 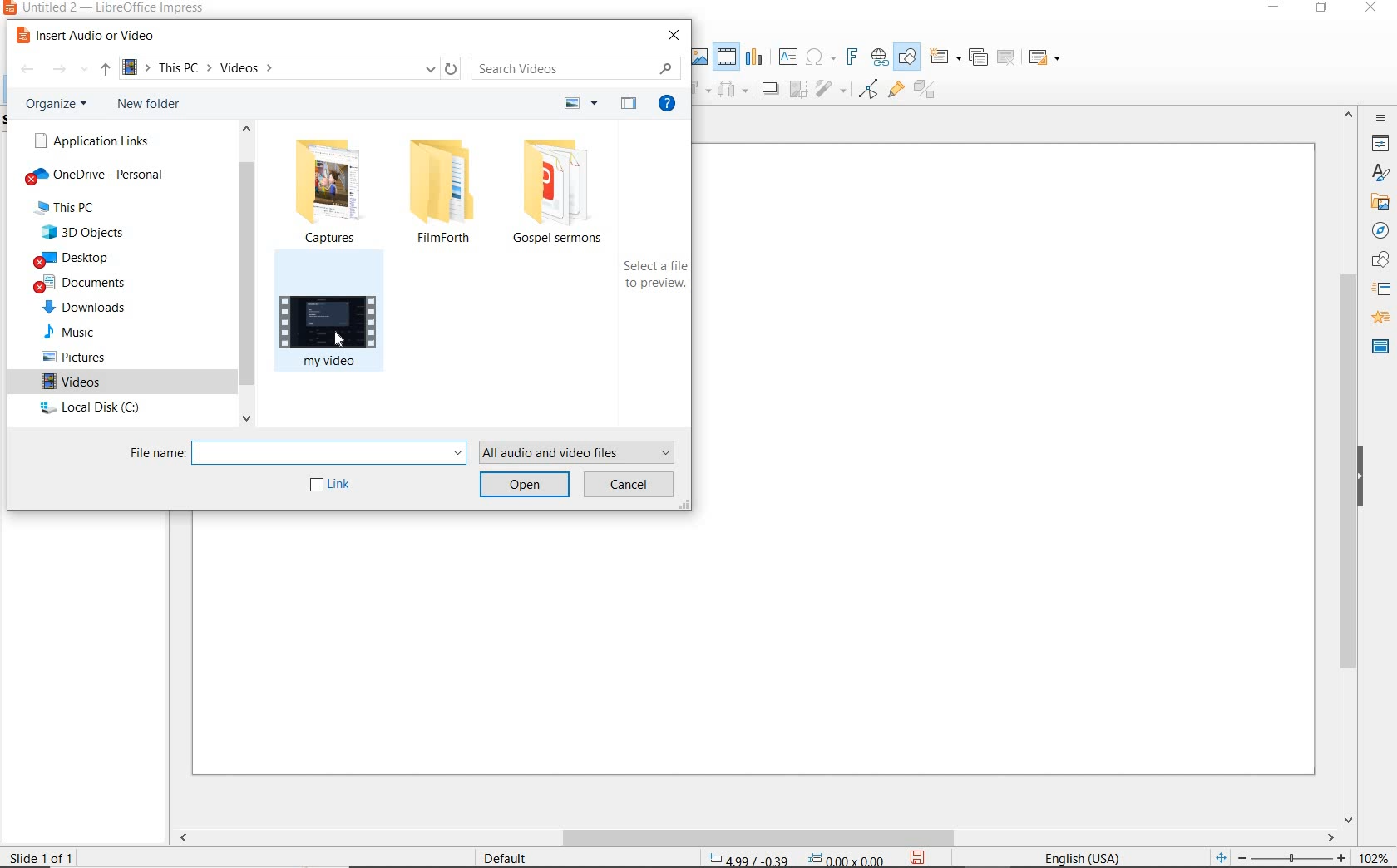 I want to click on gallery, so click(x=1380, y=205).